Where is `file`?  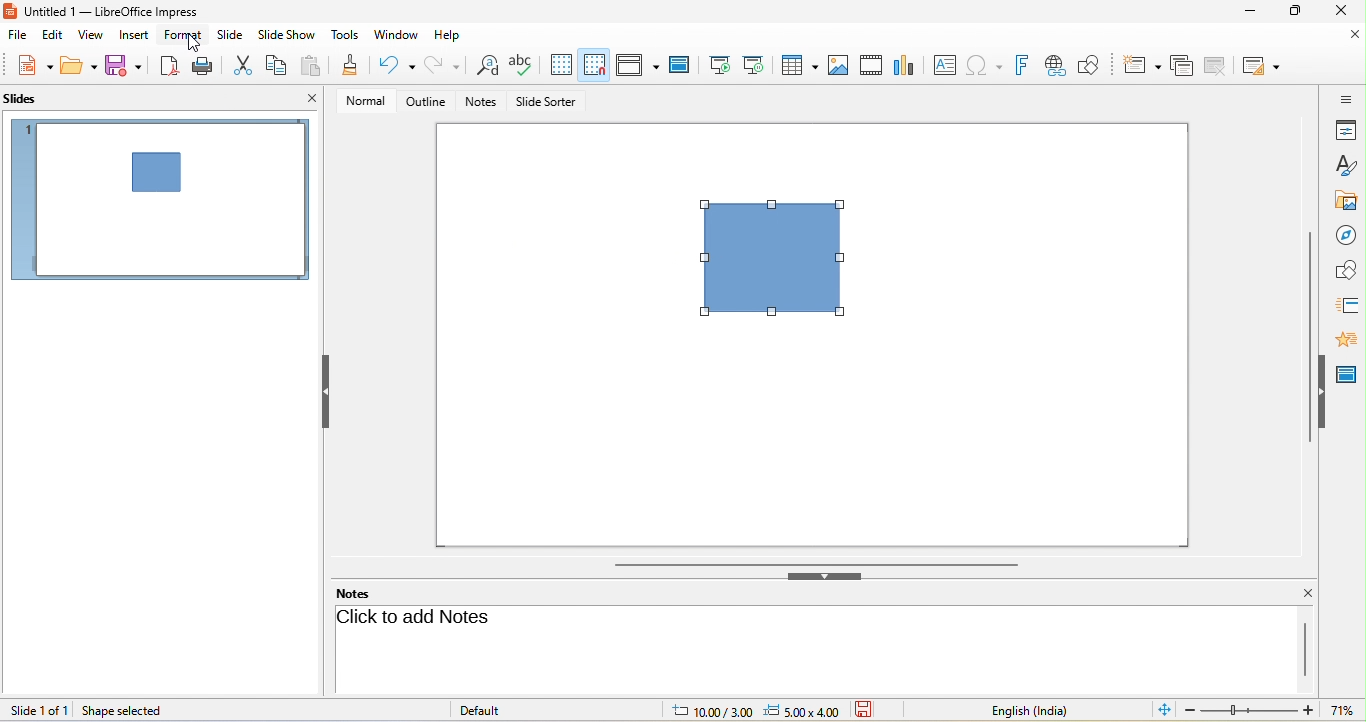
file is located at coordinates (18, 36).